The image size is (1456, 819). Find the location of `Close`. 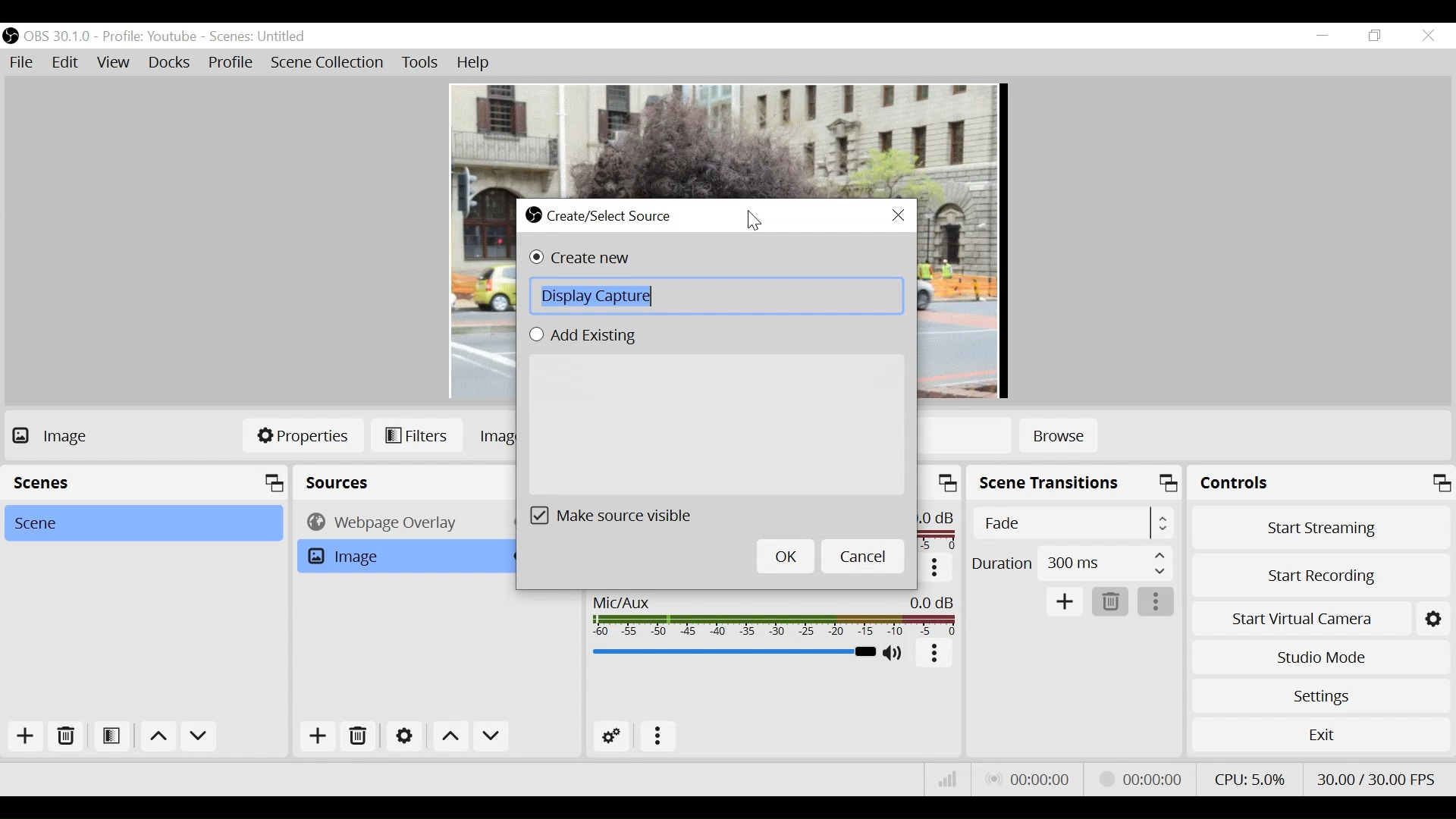

Close is located at coordinates (1429, 37).